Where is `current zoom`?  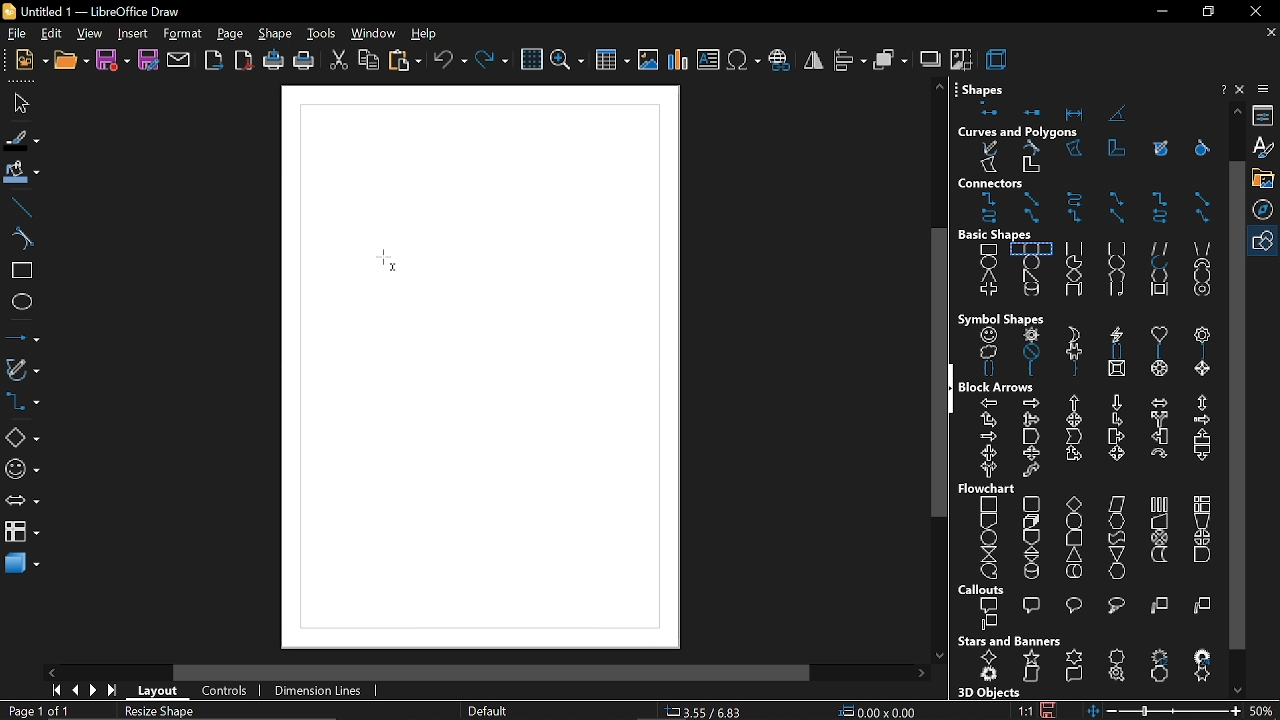
current zoom is located at coordinates (1263, 710).